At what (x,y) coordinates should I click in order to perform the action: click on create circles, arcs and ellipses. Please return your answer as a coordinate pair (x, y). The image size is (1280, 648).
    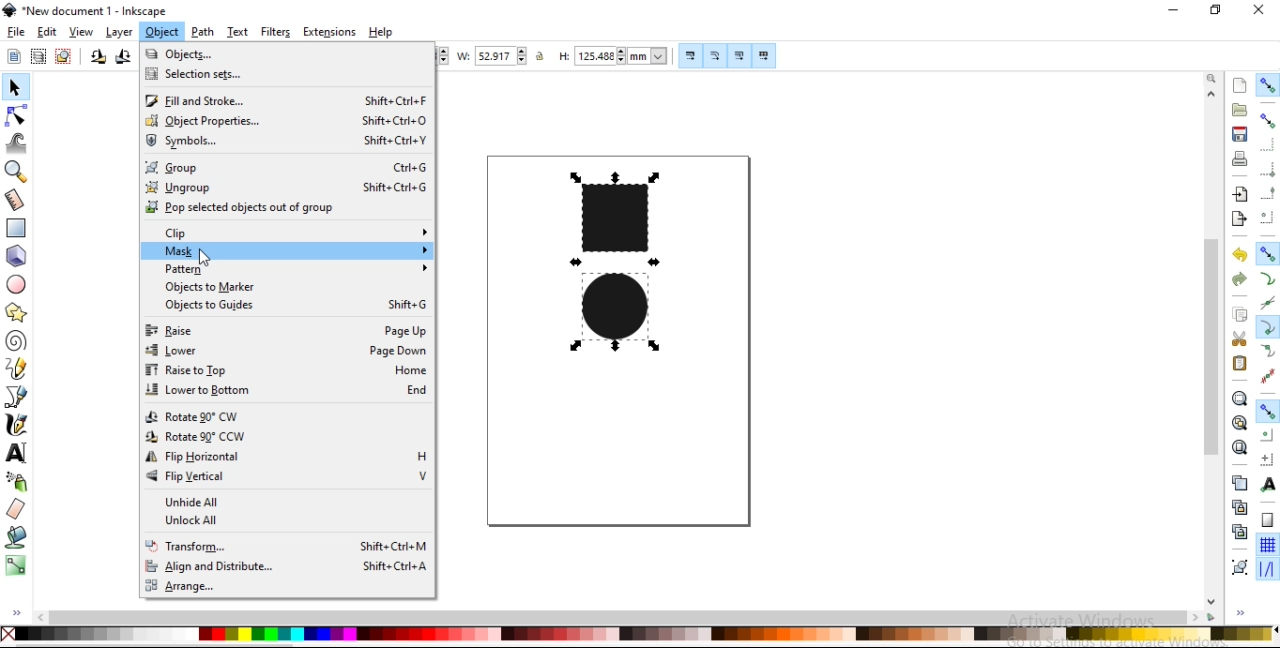
    Looking at the image, I should click on (18, 285).